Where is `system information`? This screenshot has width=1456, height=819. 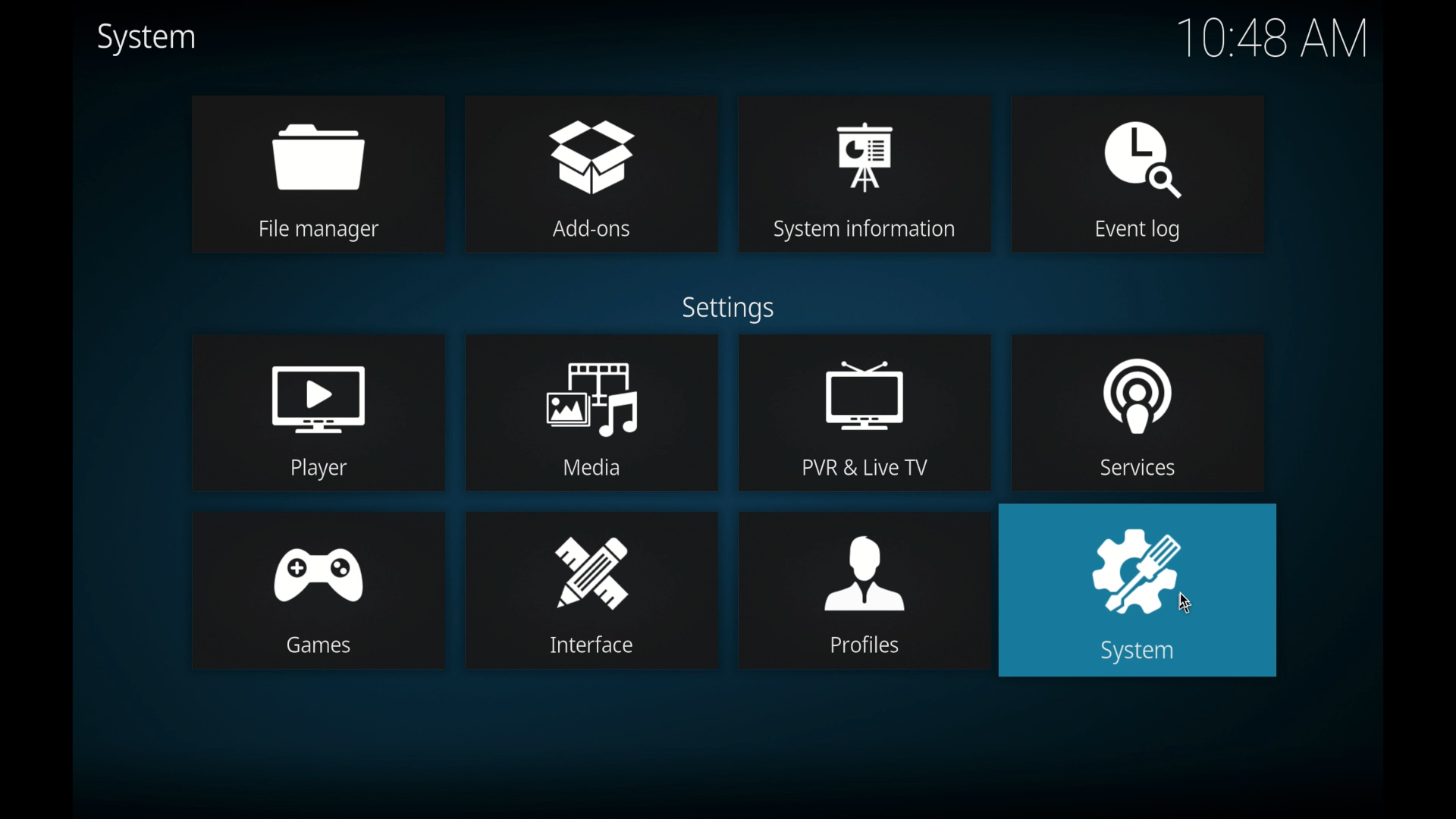
system information is located at coordinates (865, 171).